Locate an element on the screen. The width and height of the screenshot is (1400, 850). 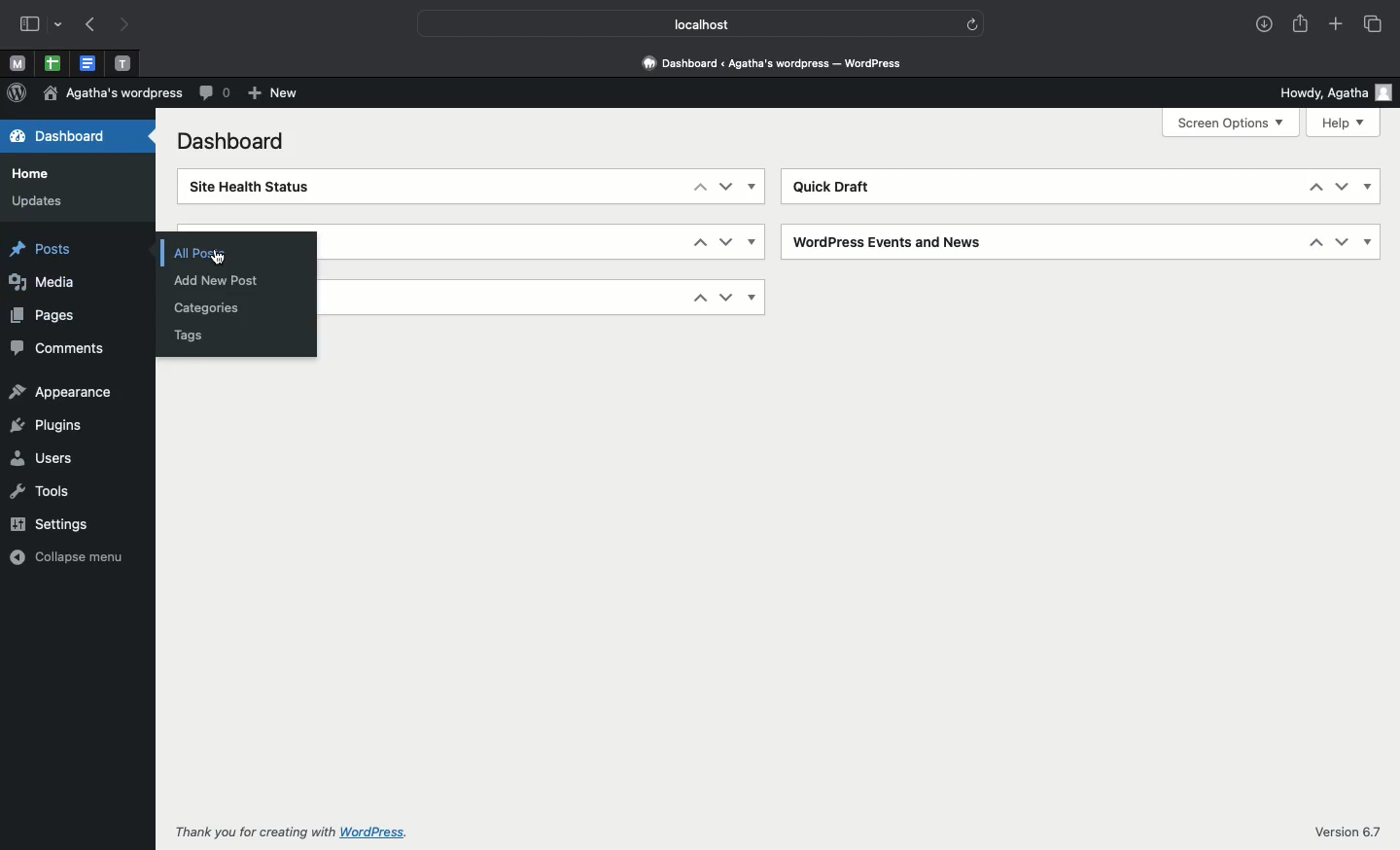
Home is located at coordinates (35, 174).